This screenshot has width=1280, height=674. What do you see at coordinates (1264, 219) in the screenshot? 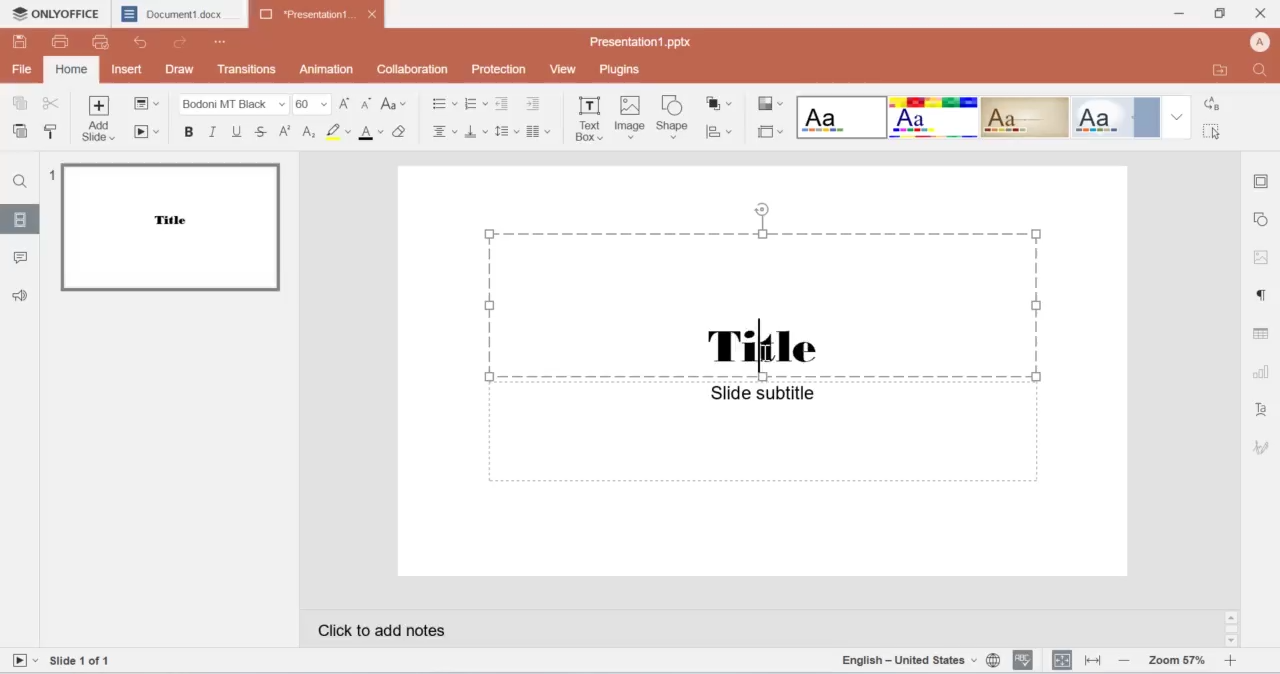
I see `shape settings` at bounding box center [1264, 219].